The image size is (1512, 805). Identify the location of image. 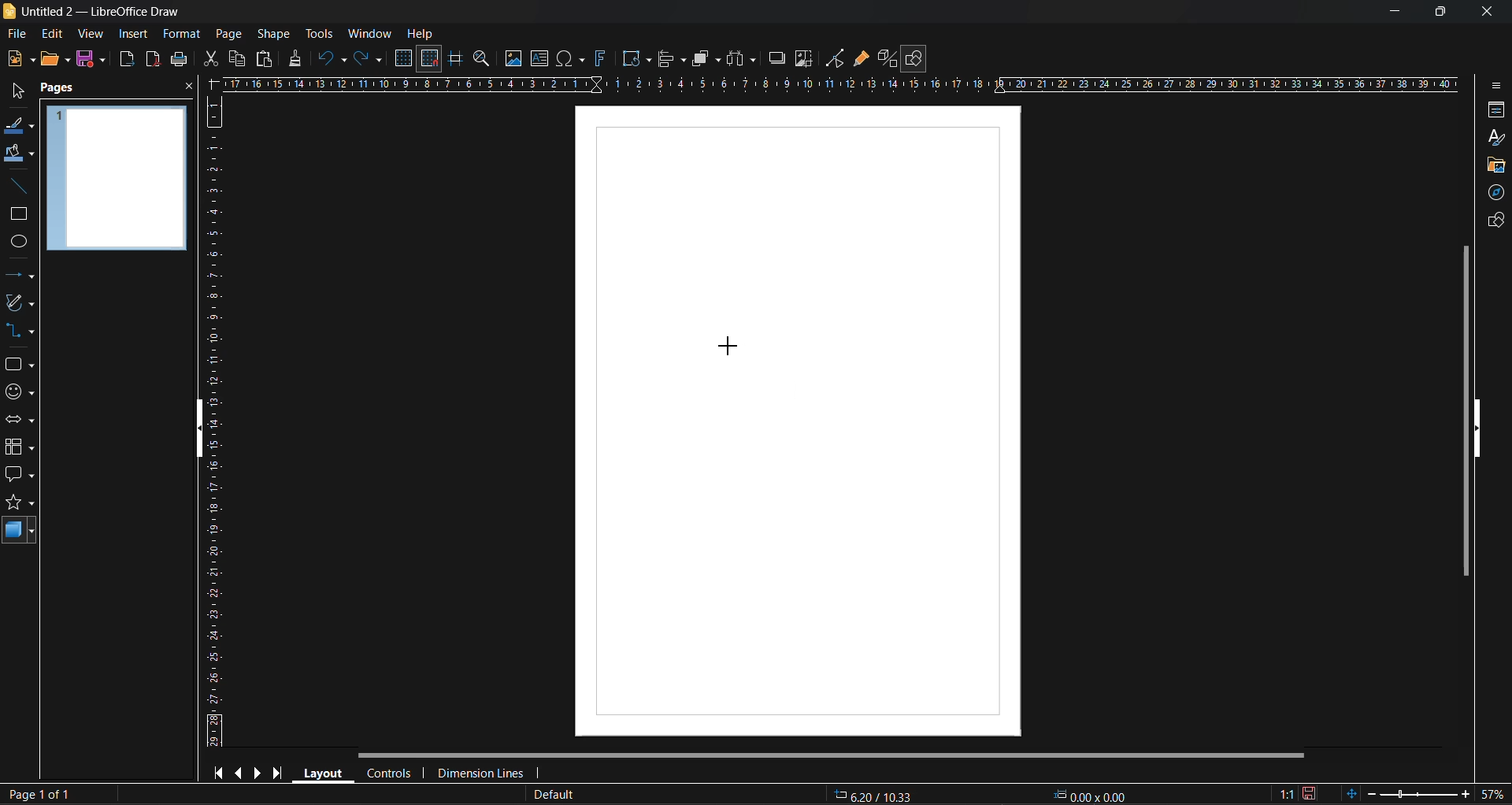
(513, 60).